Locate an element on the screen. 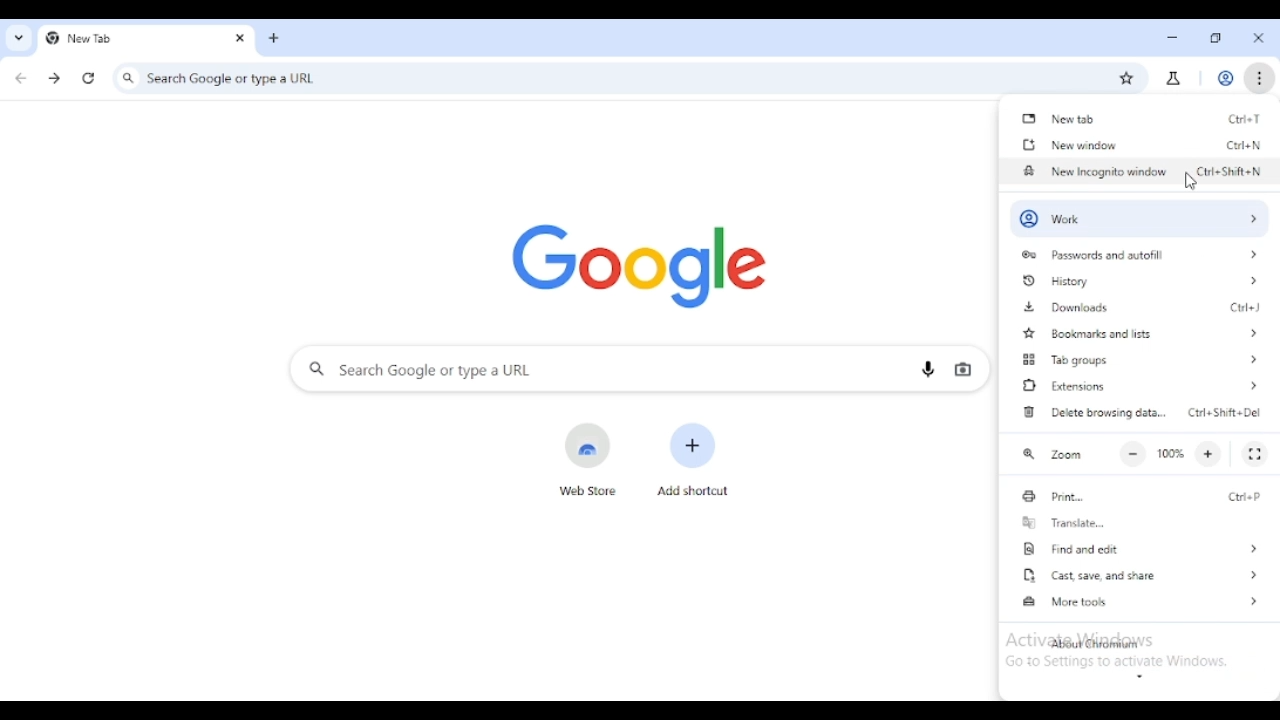  maximize is located at coordinates (1216, 37).